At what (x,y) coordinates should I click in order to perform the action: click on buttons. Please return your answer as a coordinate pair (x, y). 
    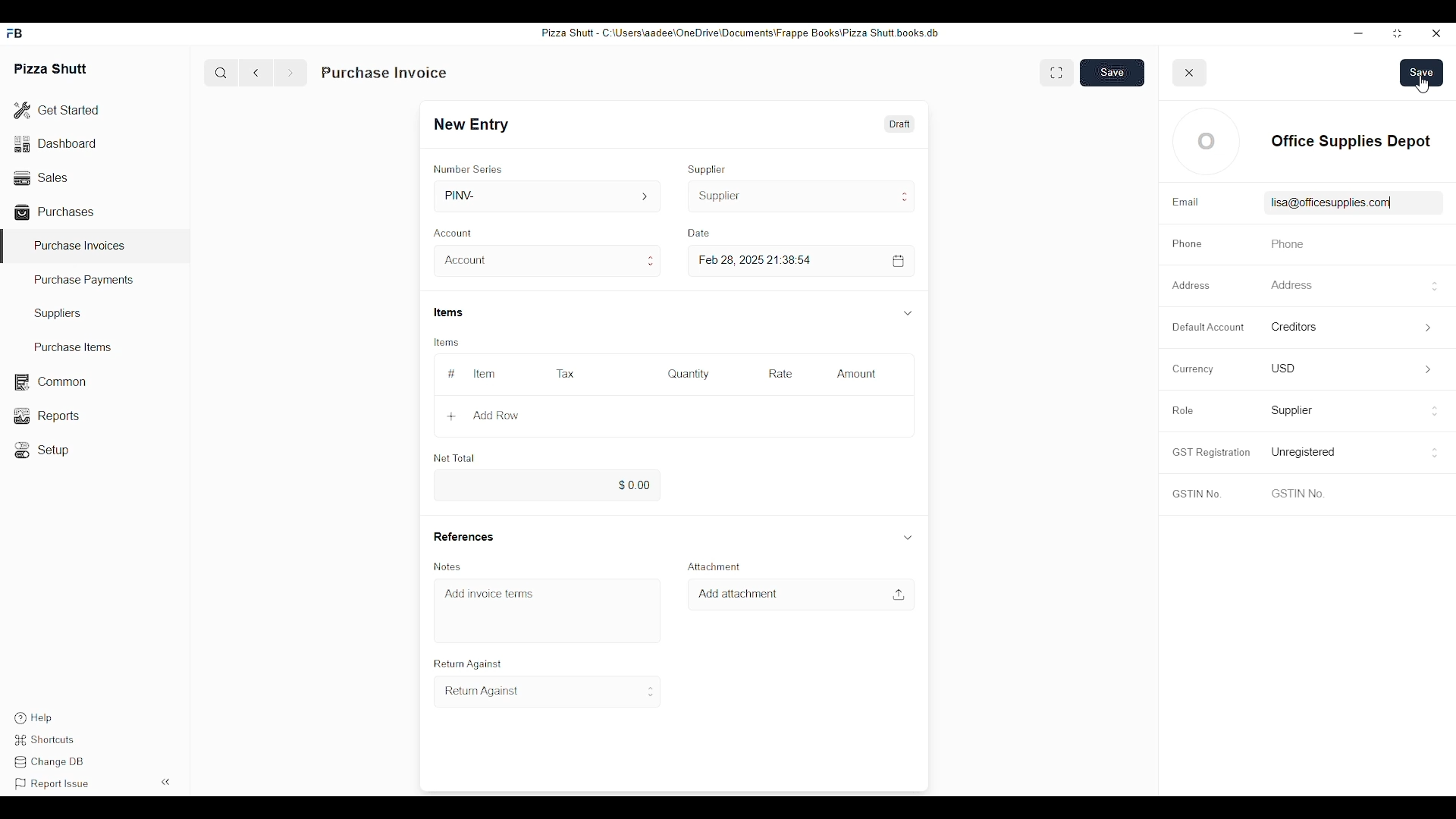
    Looking at the image, I should click on (1436, 413).